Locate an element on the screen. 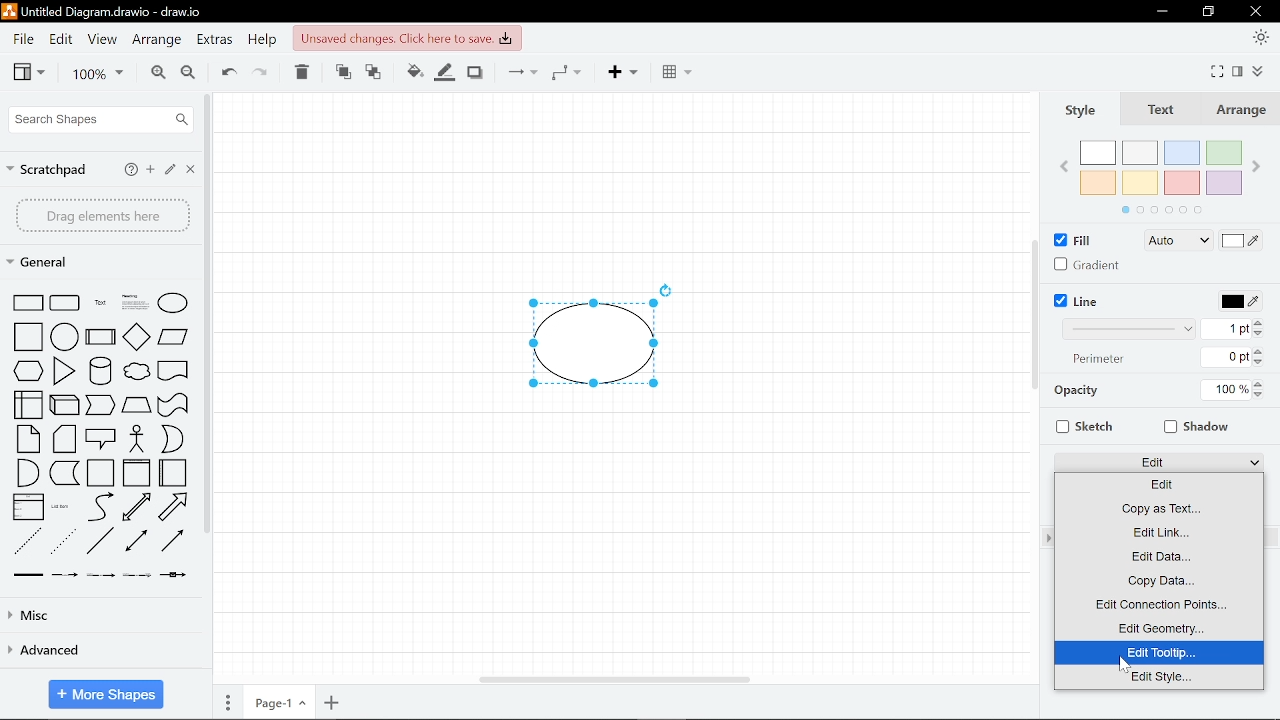  Edit connection points is located at coordinates (1159, 605).